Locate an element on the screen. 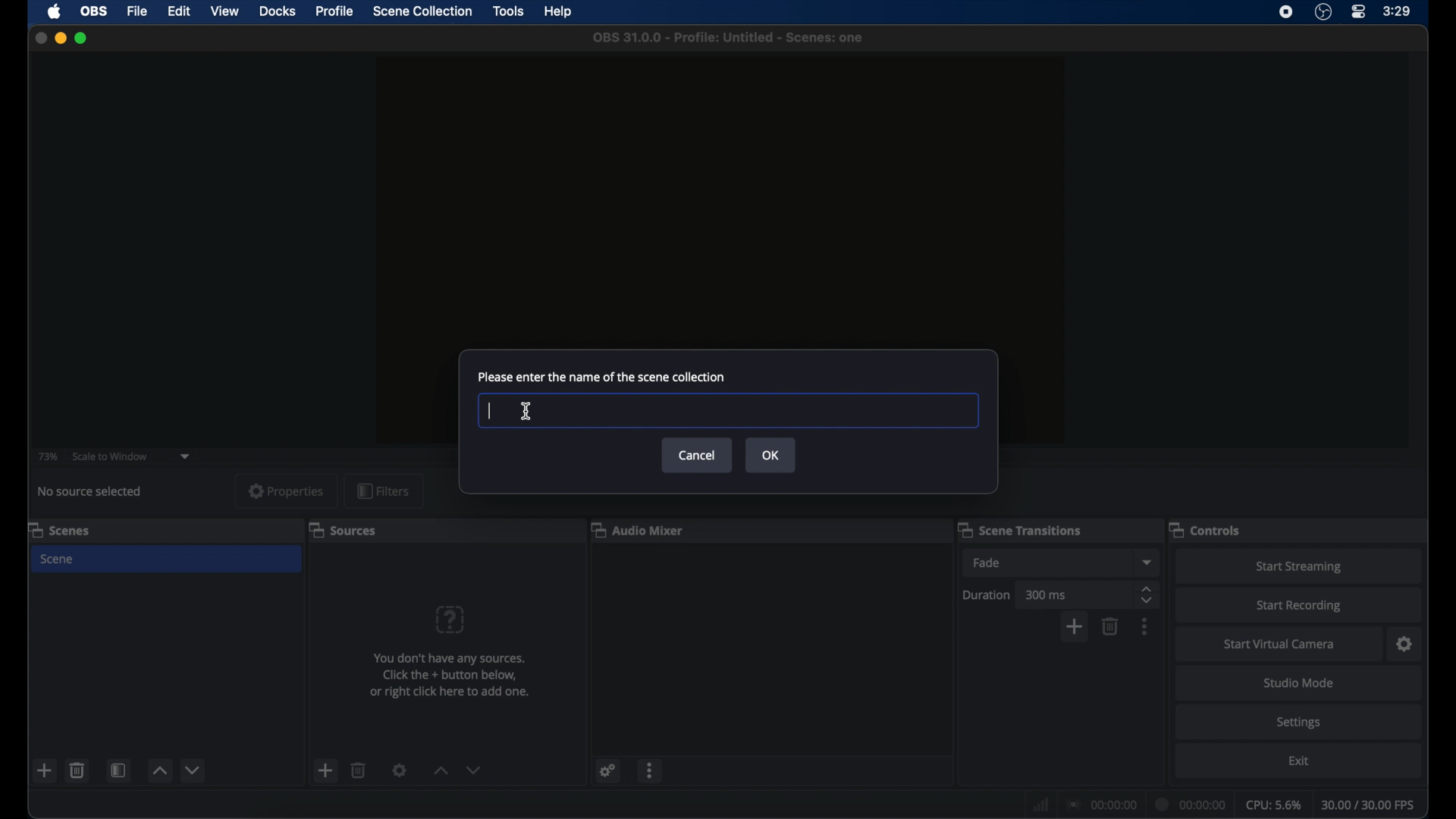  duration is located at coordinates (1191, 805).